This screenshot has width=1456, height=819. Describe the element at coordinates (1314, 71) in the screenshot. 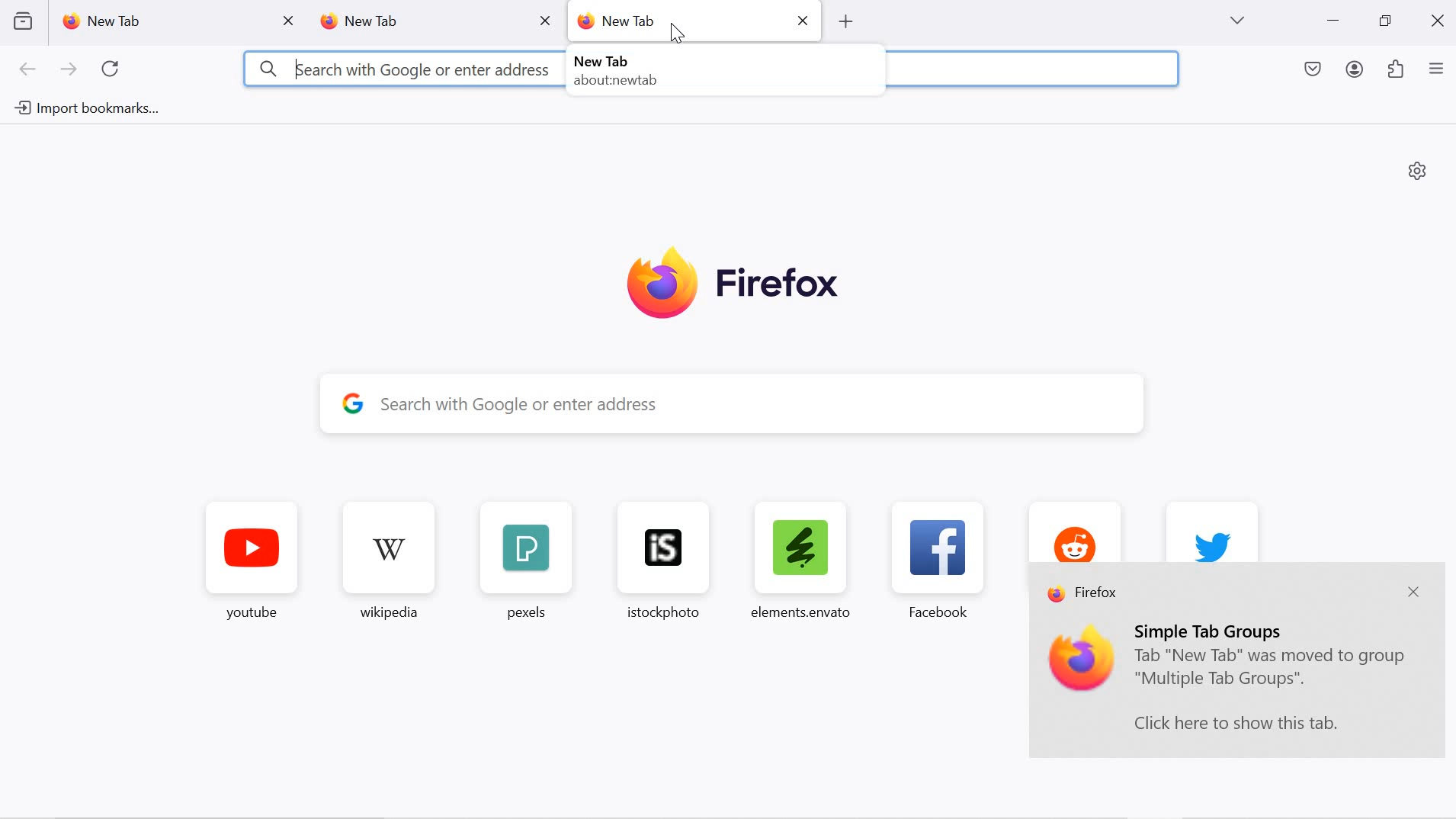

I see `save to pocket` at that location.